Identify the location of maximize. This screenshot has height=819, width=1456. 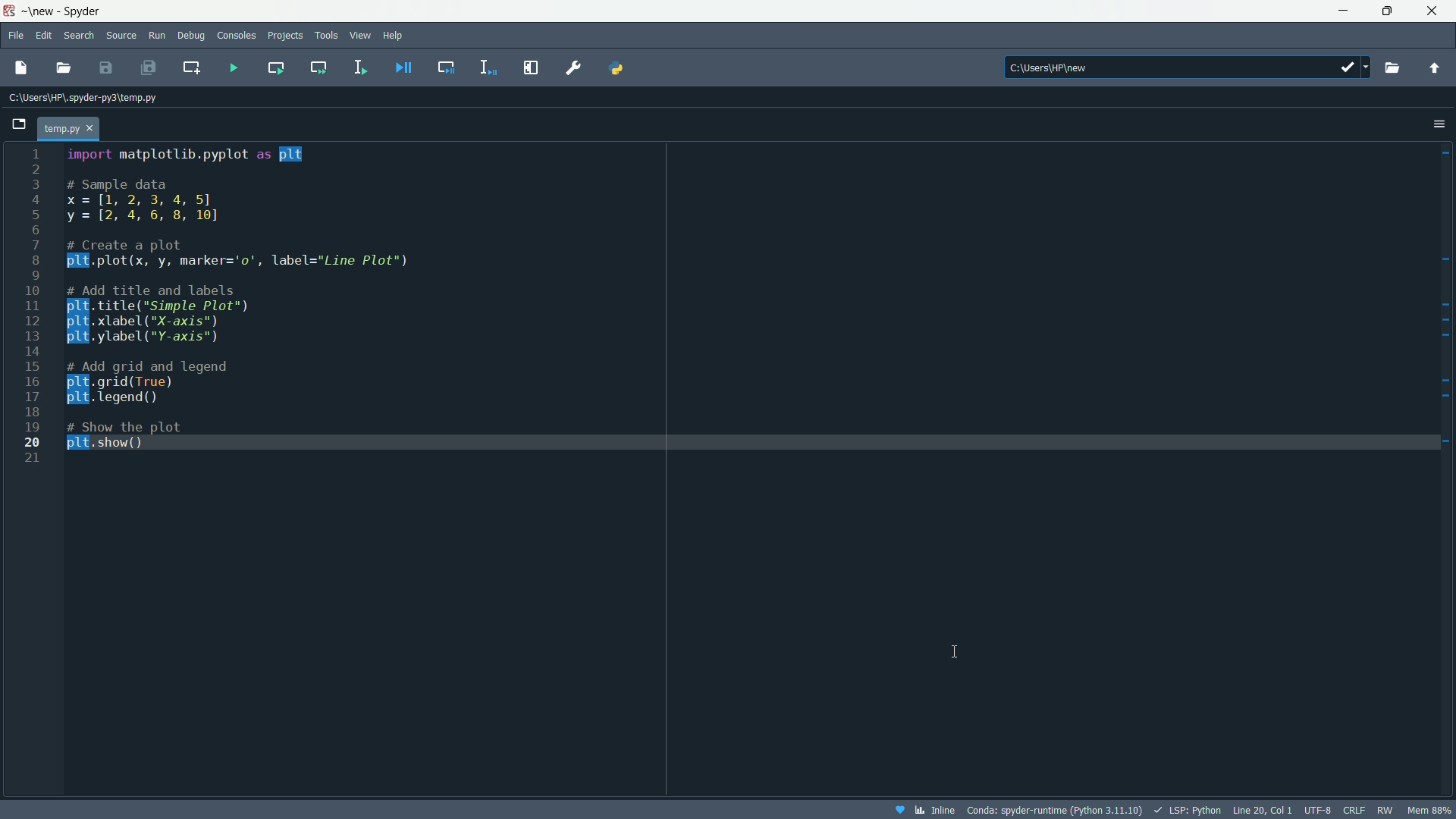
(1387, 11).